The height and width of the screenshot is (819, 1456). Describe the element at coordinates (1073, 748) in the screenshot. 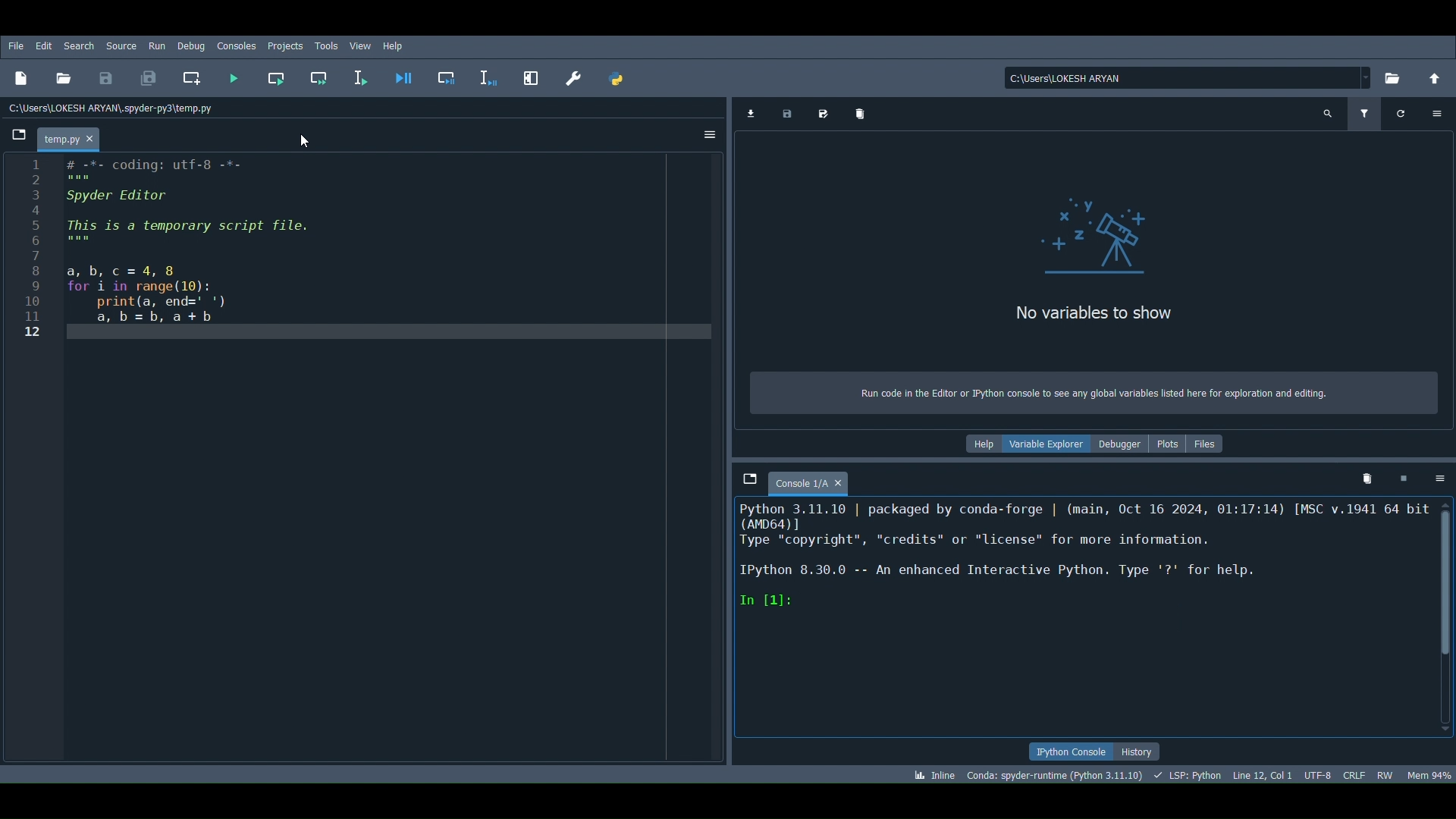

I see `IPython console` at that location.